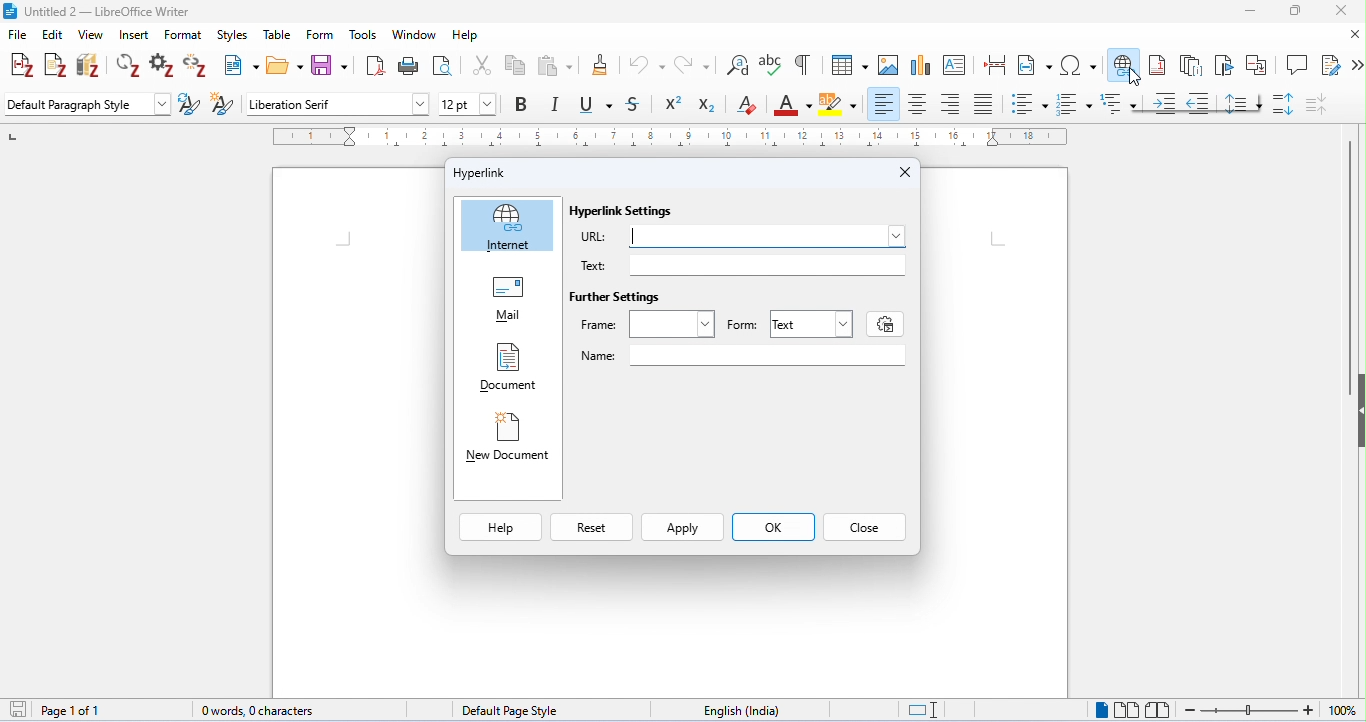 This screenshot has height=722, width=1366. What do you see at coordinates (1244, 103) in the screenshot?
I see `line spacing` at bounding box center [1244, 103].